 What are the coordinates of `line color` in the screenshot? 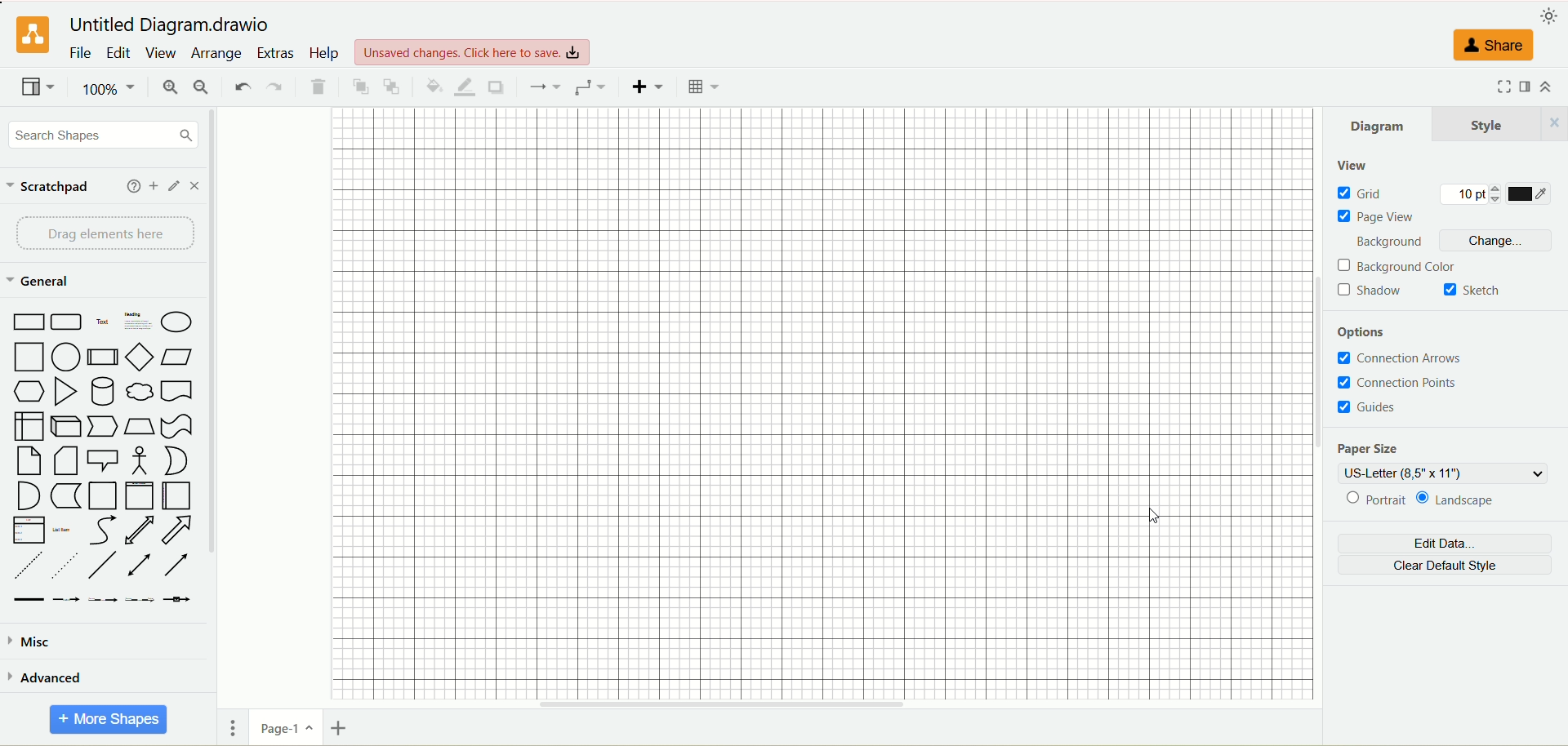 It's located at (464, 86).